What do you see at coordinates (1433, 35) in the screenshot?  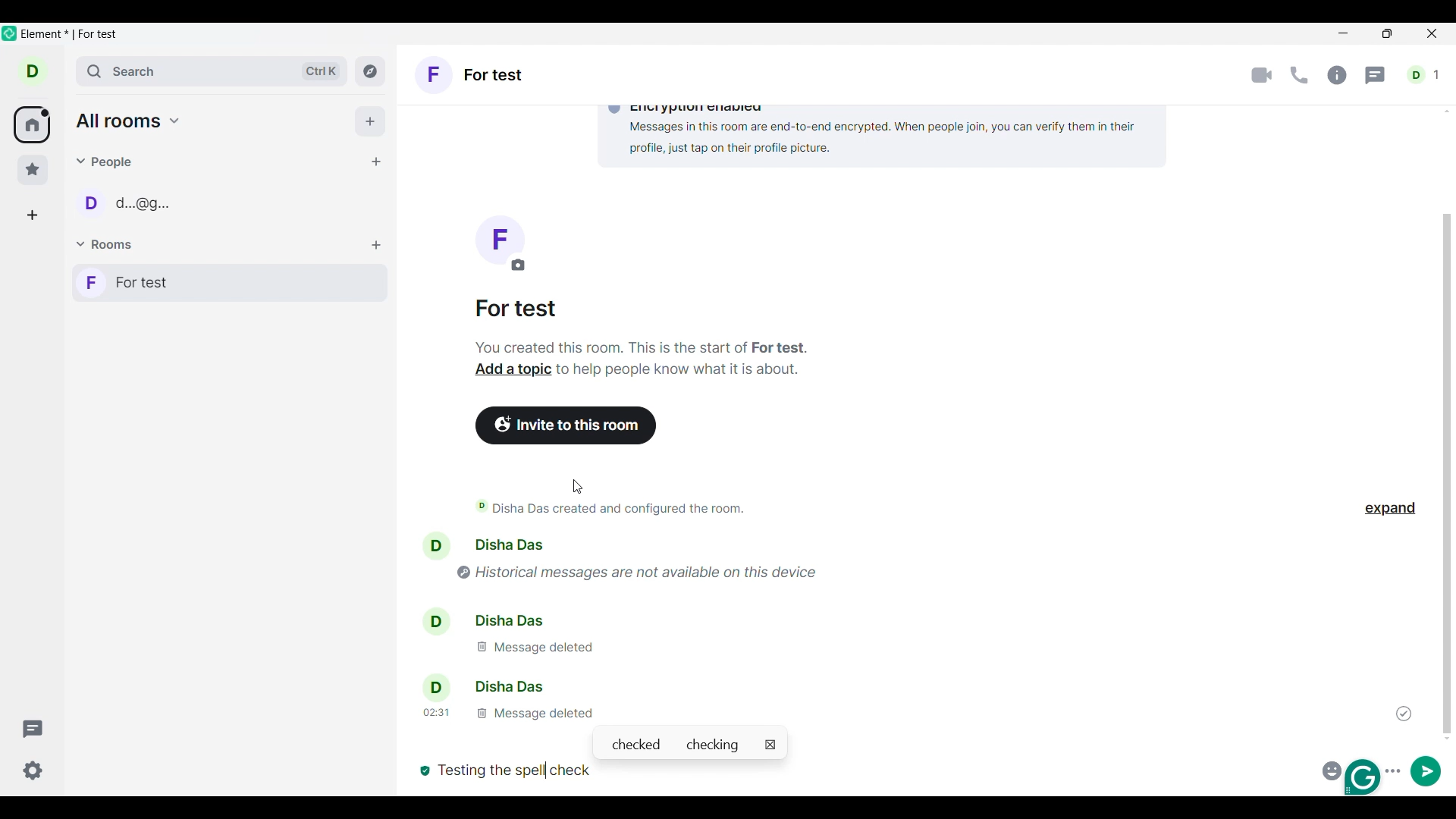 I see `Close interface` at bounding box center [1433, 35].